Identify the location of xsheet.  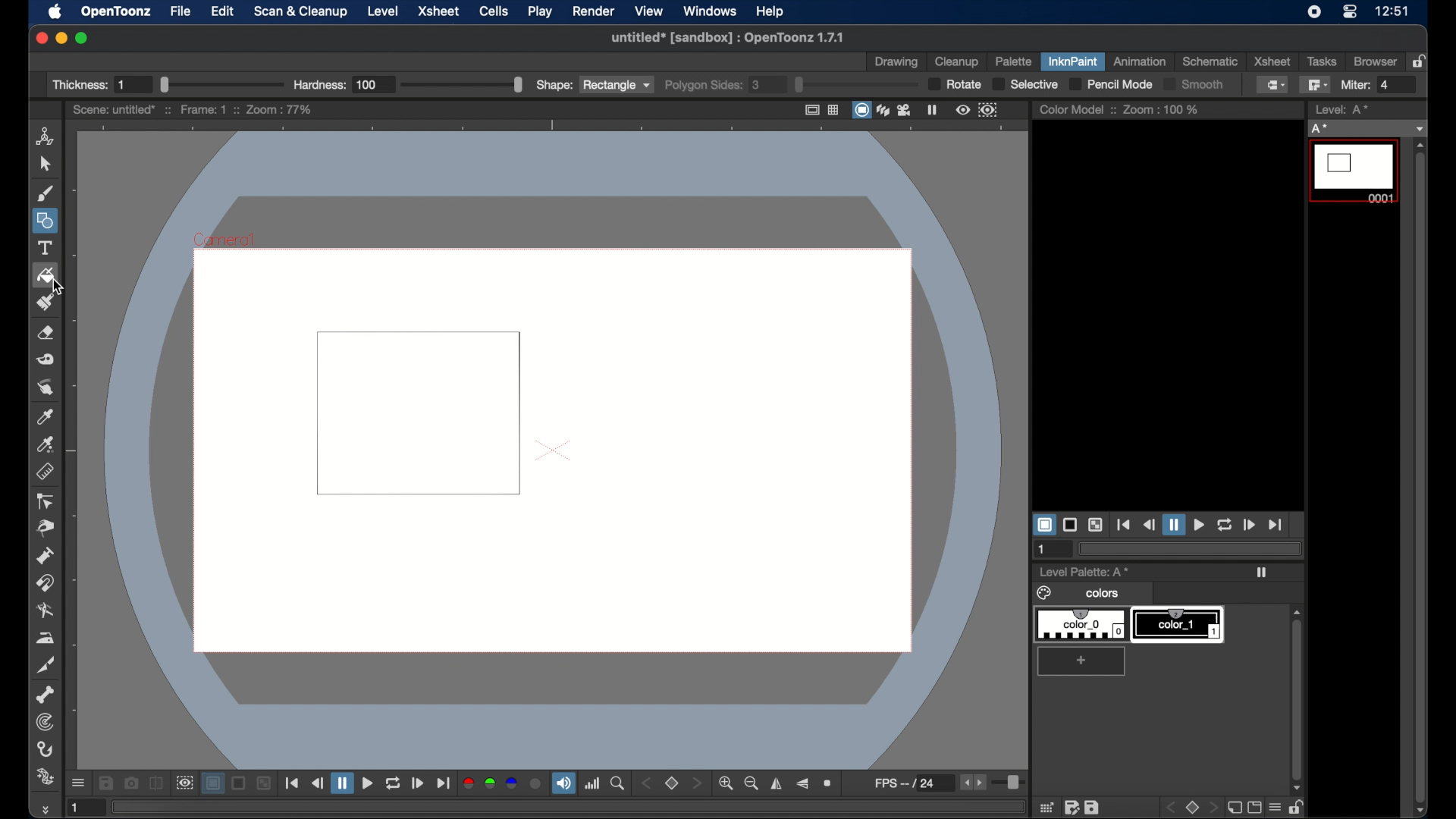
(441, 12).